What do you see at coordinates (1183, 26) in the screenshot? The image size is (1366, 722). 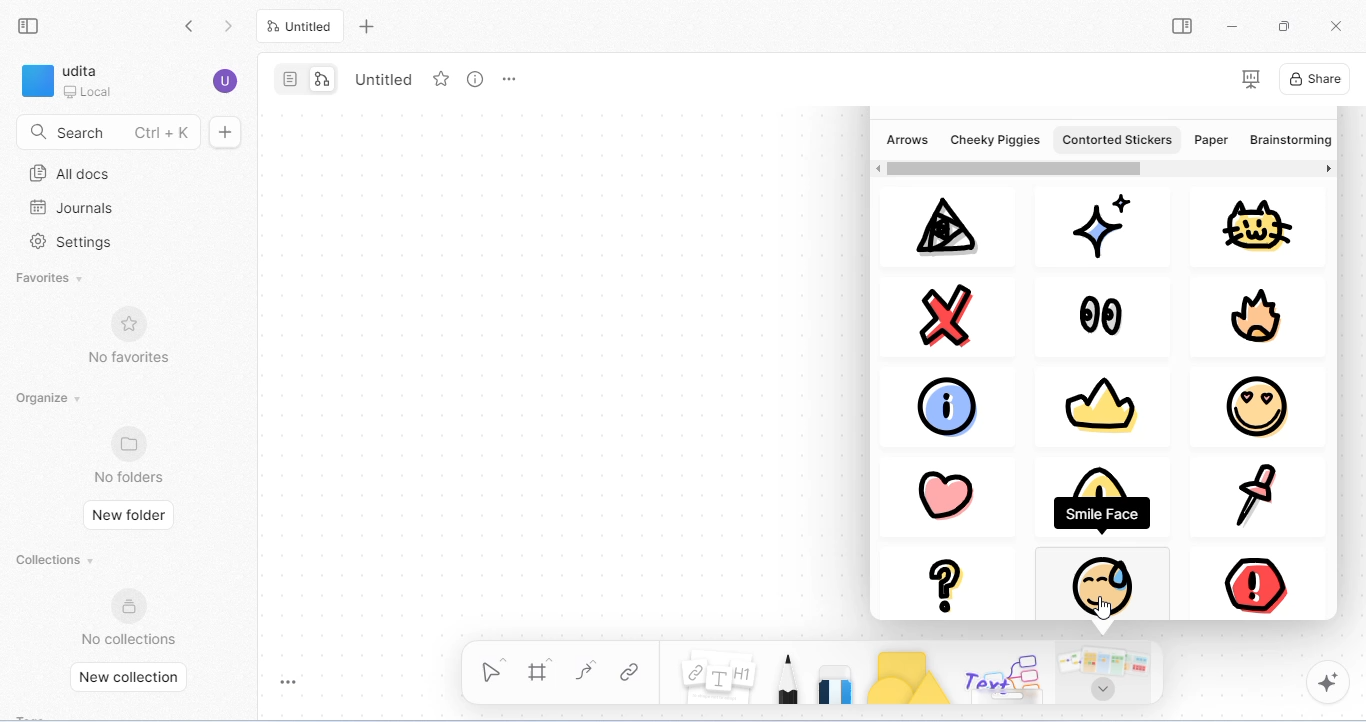 I see `open side bar` at bounding box center [1183, 26].